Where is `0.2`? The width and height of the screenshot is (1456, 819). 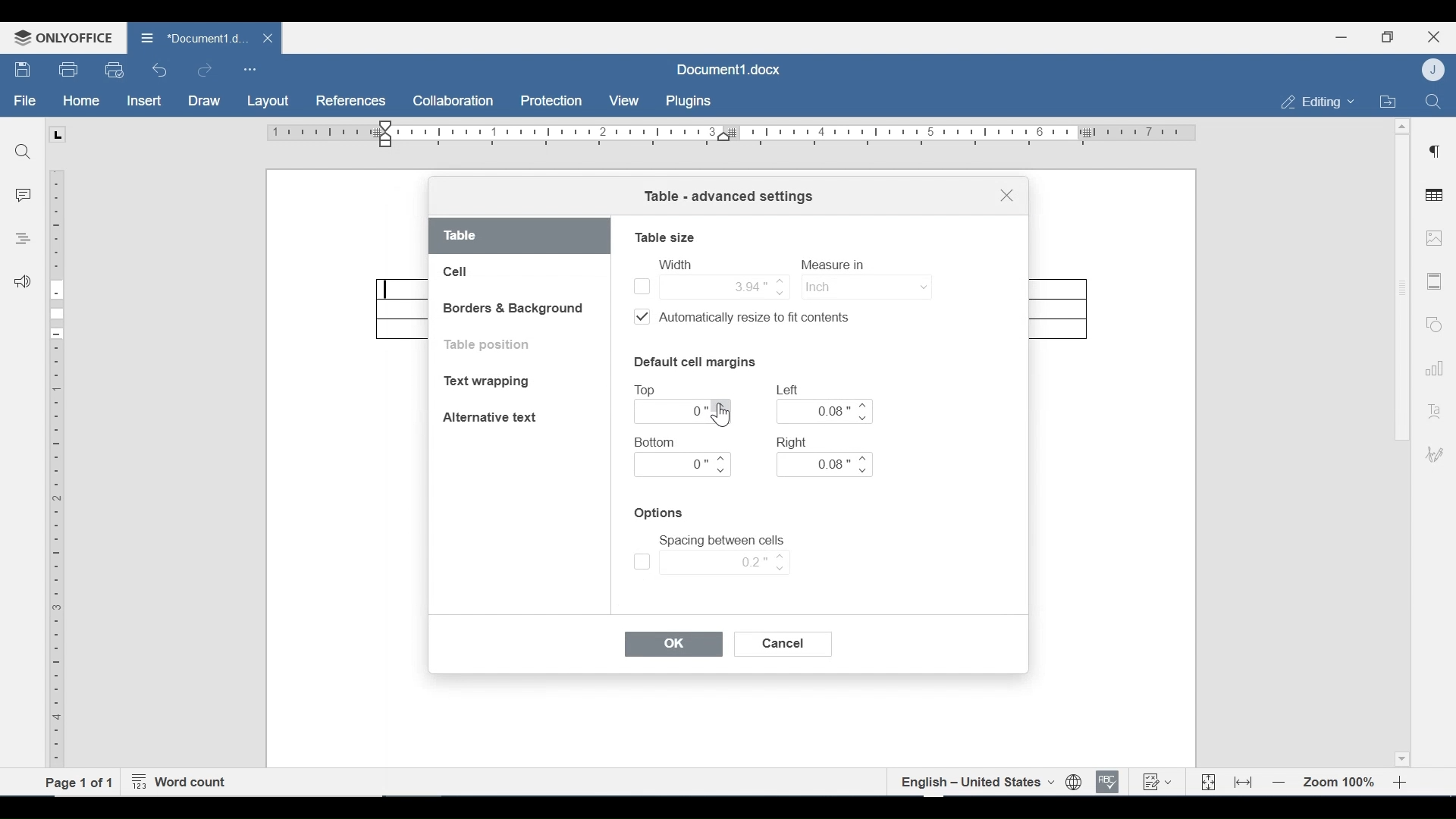
0.2 is located at coordinates (711, 562).